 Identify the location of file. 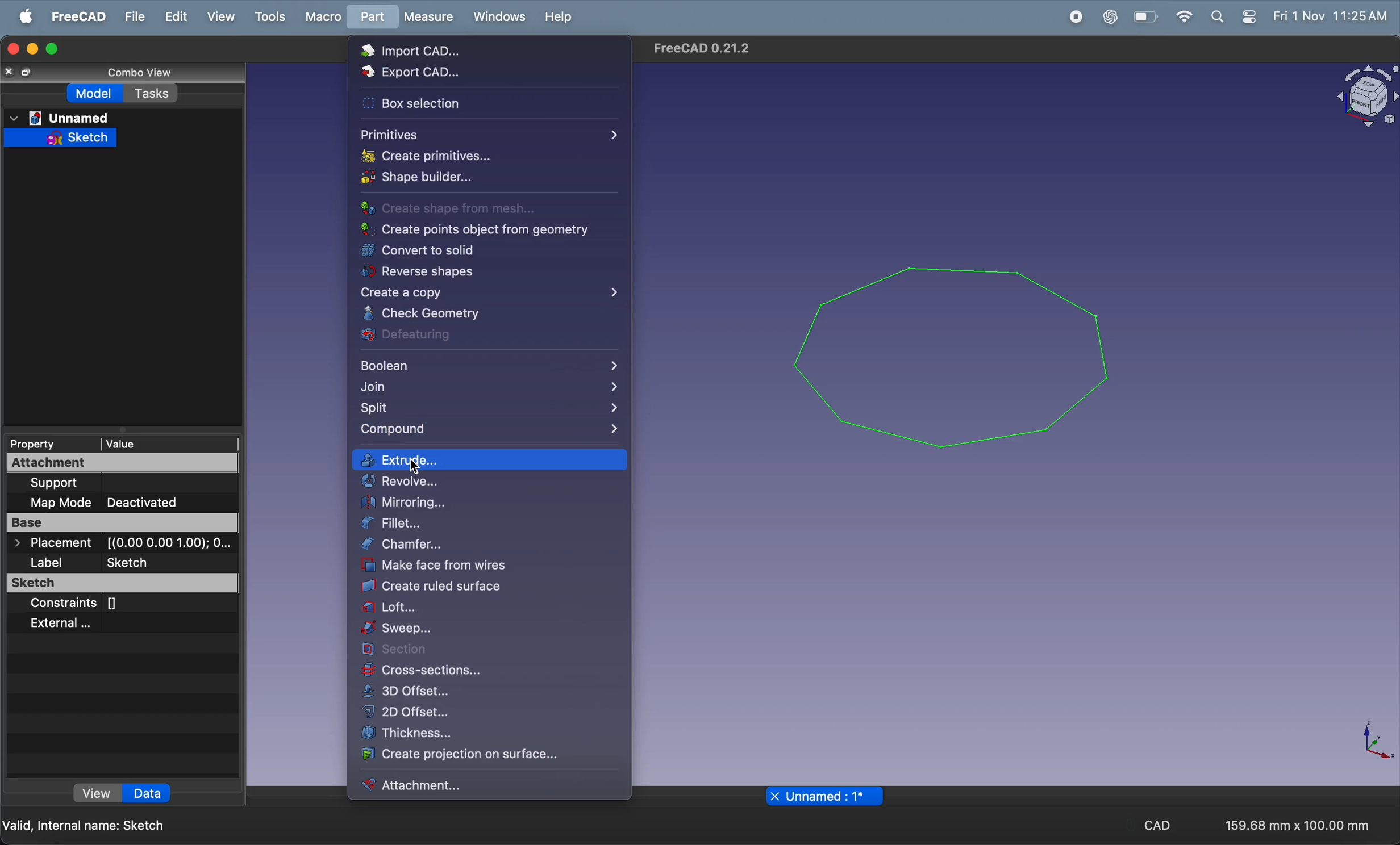
(130, 18).